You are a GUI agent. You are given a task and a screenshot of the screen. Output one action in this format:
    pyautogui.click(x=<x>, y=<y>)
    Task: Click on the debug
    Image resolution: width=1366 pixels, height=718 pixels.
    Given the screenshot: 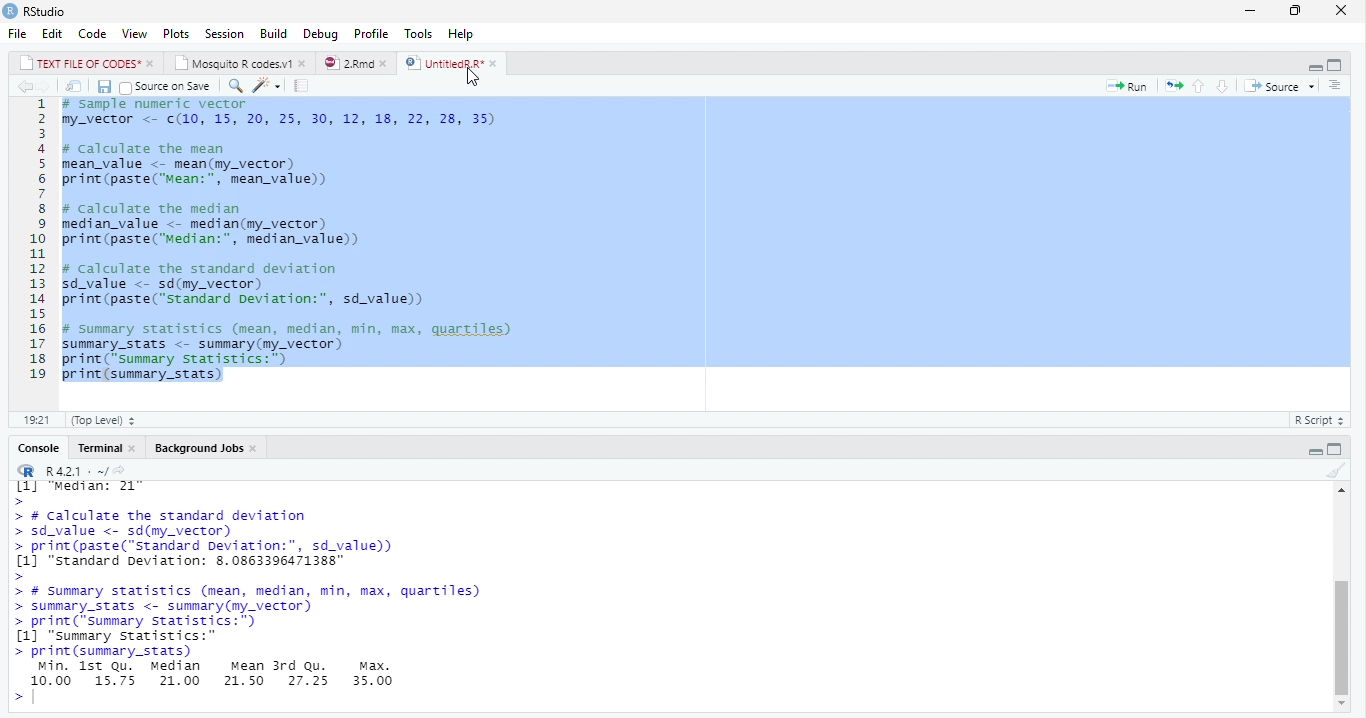 What is the action you would take?
    pyautogui.click(x=321, y=33)
    